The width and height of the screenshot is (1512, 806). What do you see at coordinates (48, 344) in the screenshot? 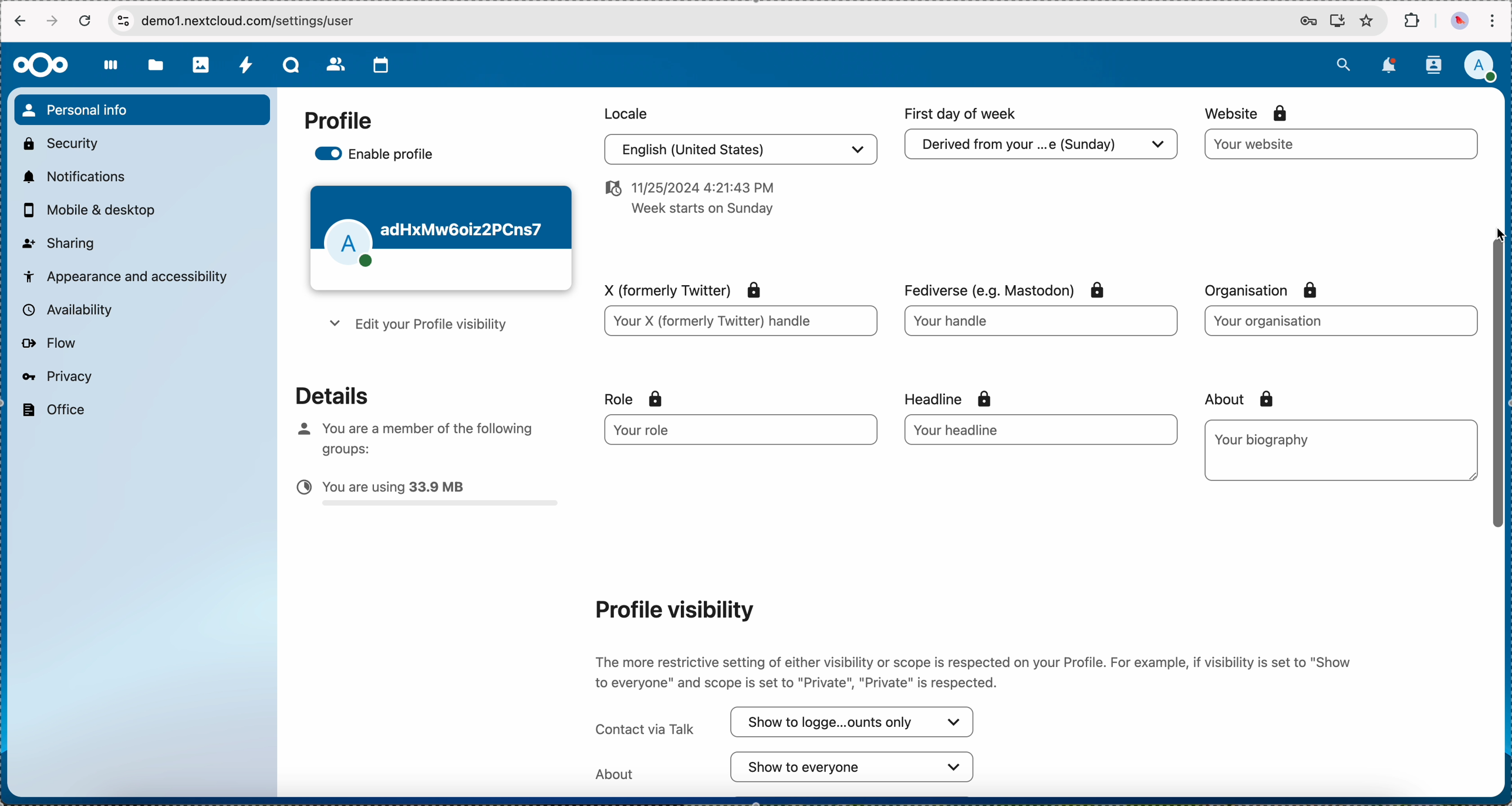
I see `flow` at bounding box center [48, 344].